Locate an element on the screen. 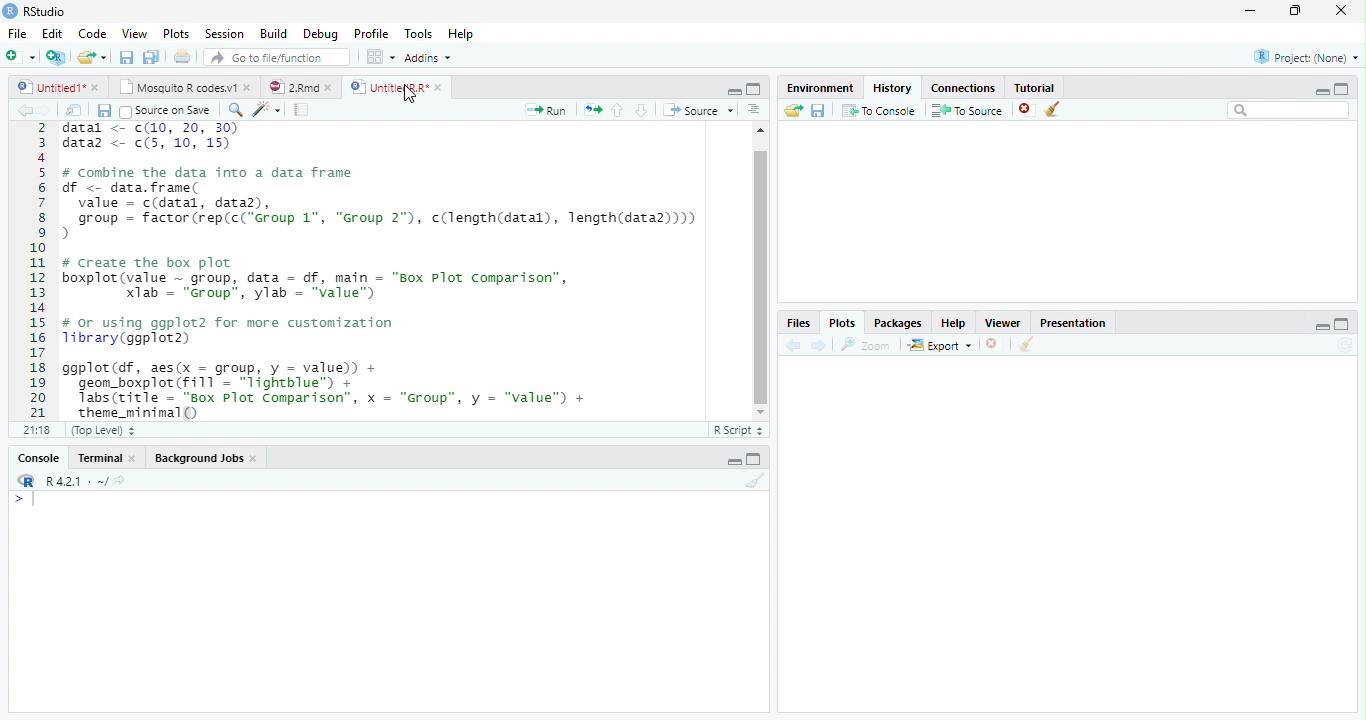 This screenshot has height=720, width=1366. Save history into a file is located at coordinates (819, 110).